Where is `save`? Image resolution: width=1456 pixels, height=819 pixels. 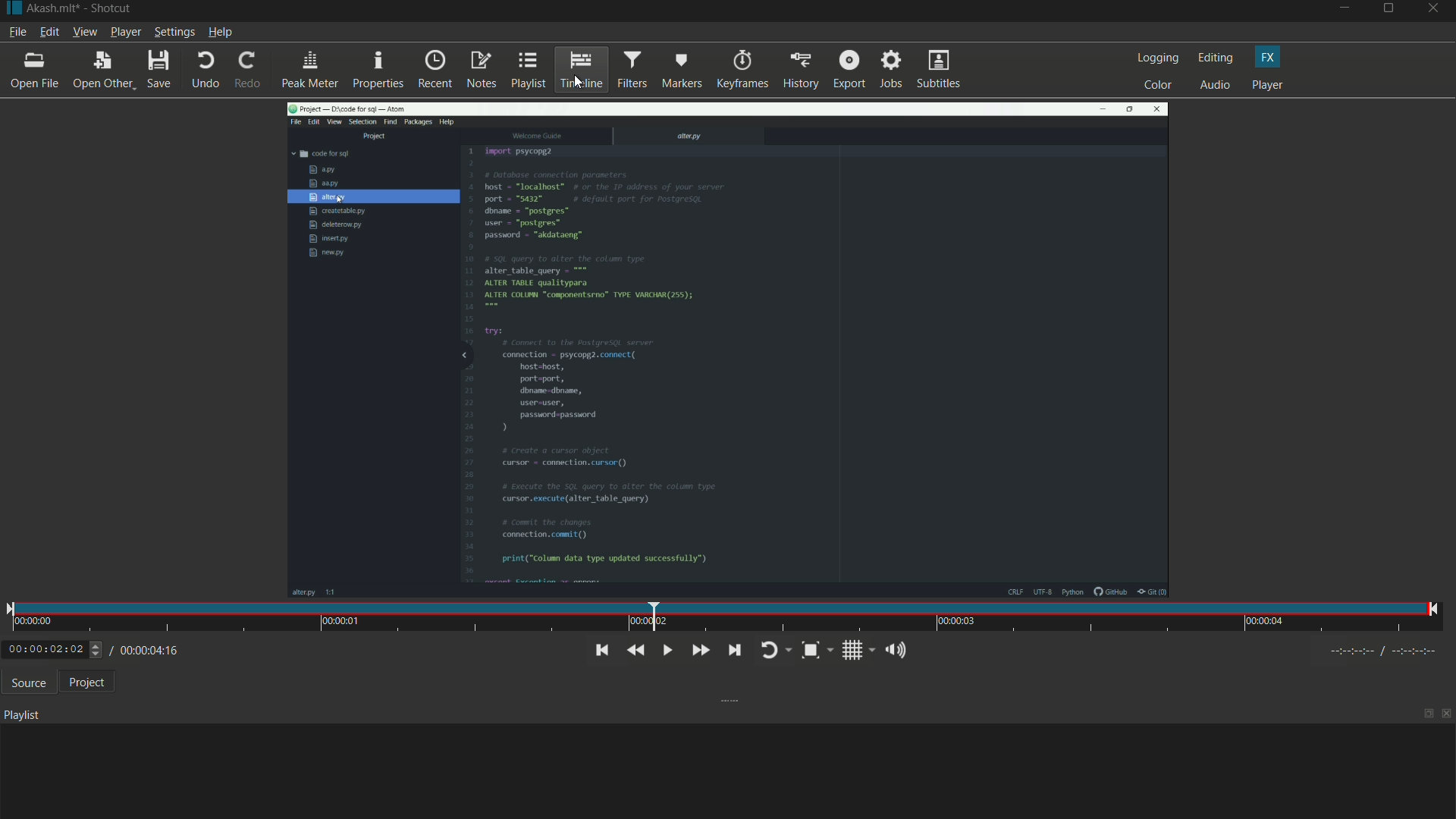 save is located at coordinates (158, 70).